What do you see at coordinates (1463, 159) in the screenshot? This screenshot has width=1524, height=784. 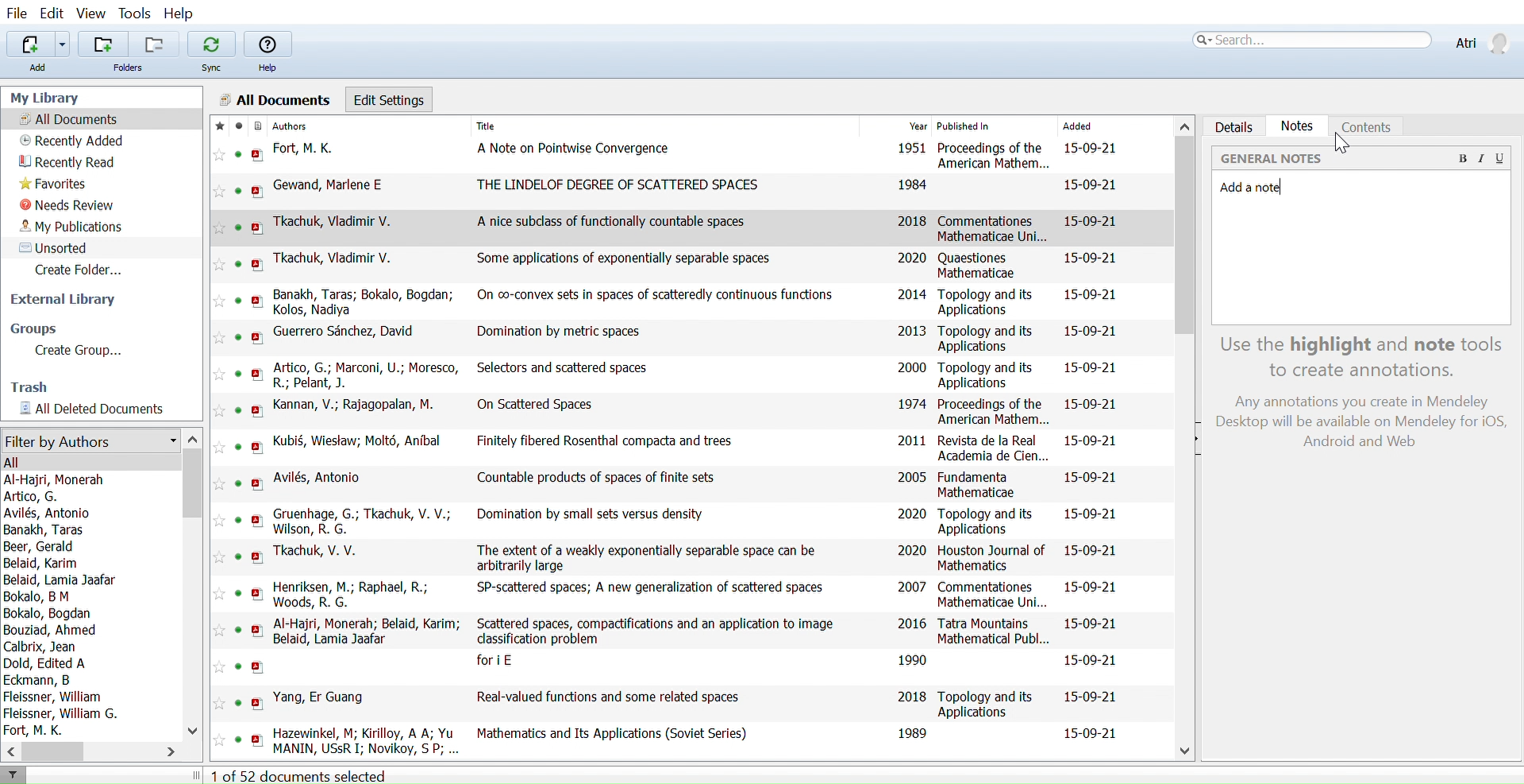 I see `Bold` at bounding box center [1463, 159].